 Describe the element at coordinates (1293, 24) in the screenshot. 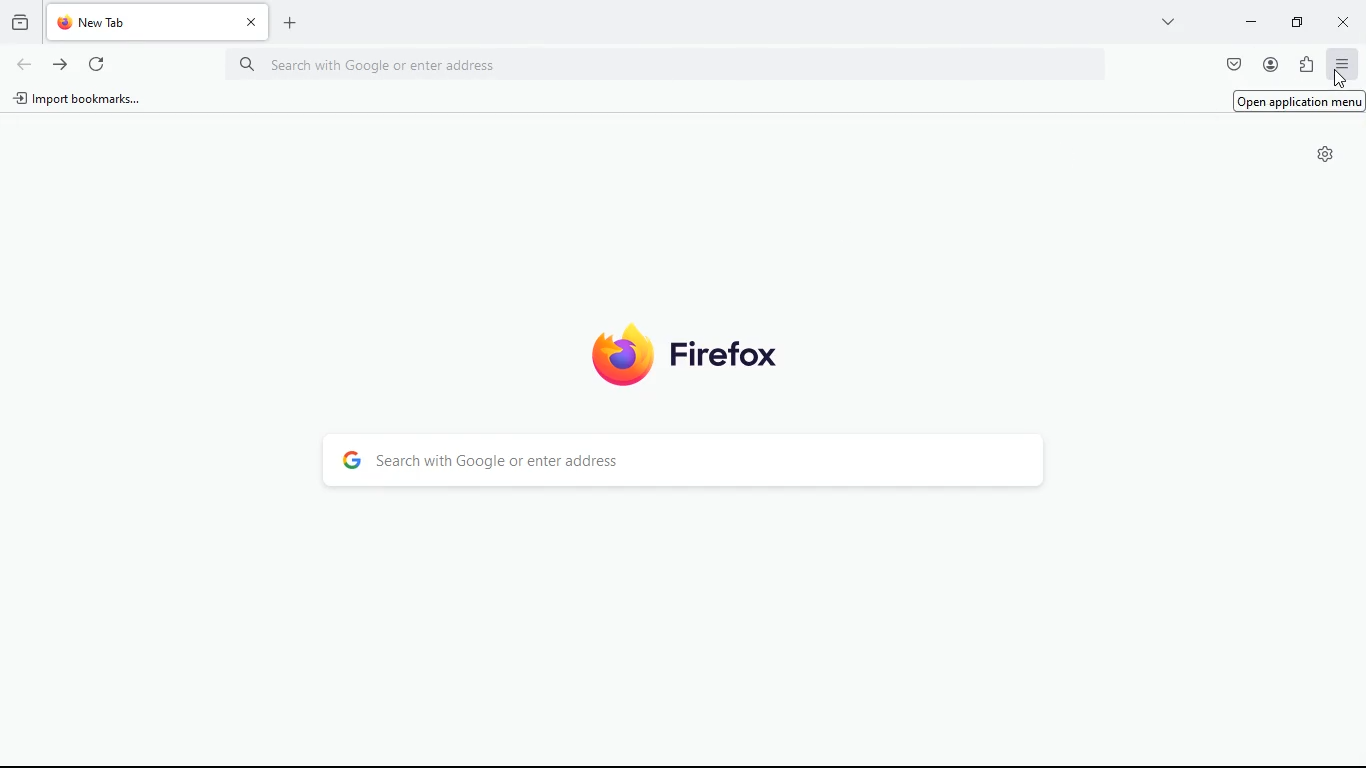

I see `maximize` at that location.